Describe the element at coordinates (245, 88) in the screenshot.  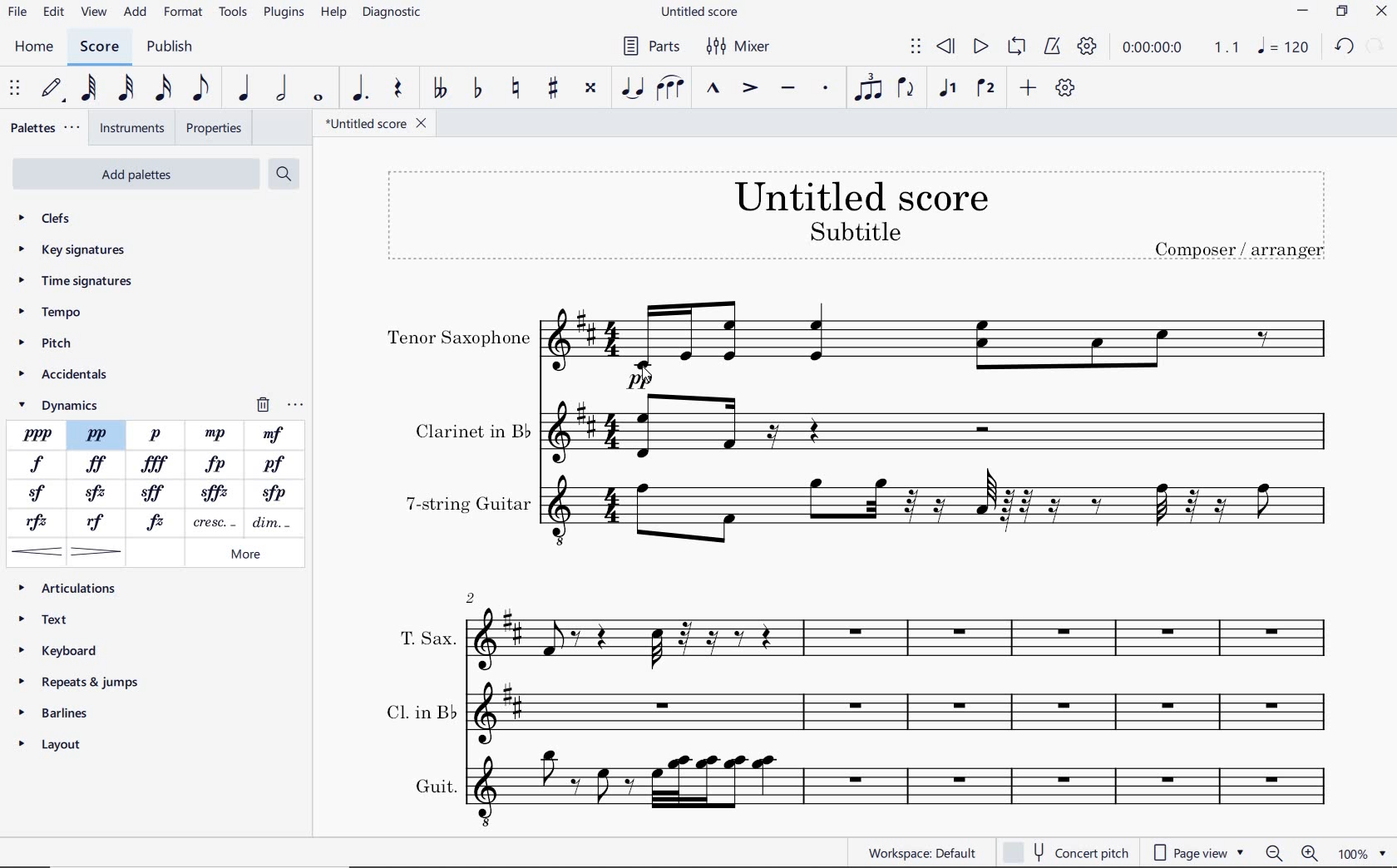
I see `QUARTER NOTE` at that location.